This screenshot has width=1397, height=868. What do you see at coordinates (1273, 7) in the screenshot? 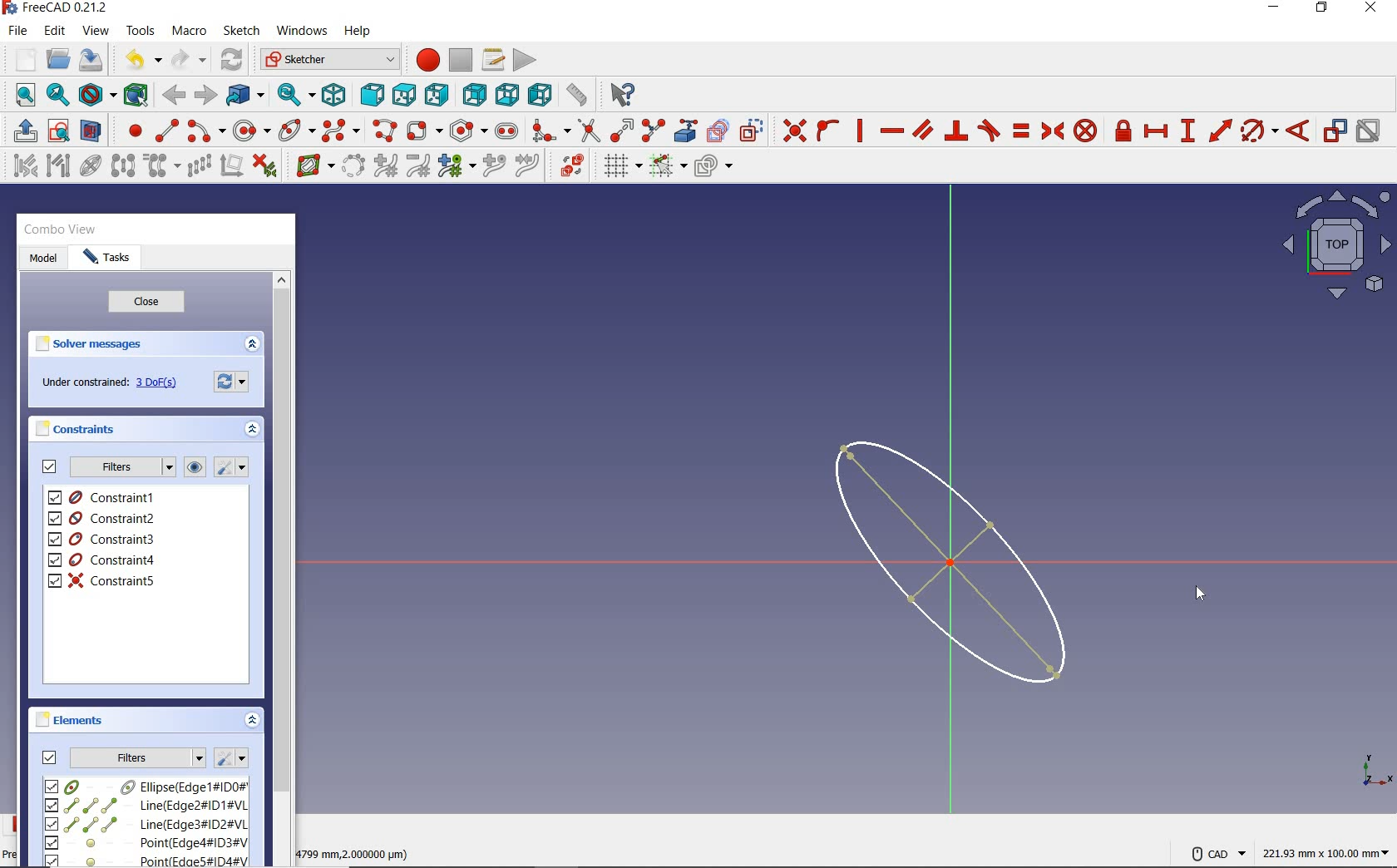
I see `minimize` at bounding box center [1273, 7].